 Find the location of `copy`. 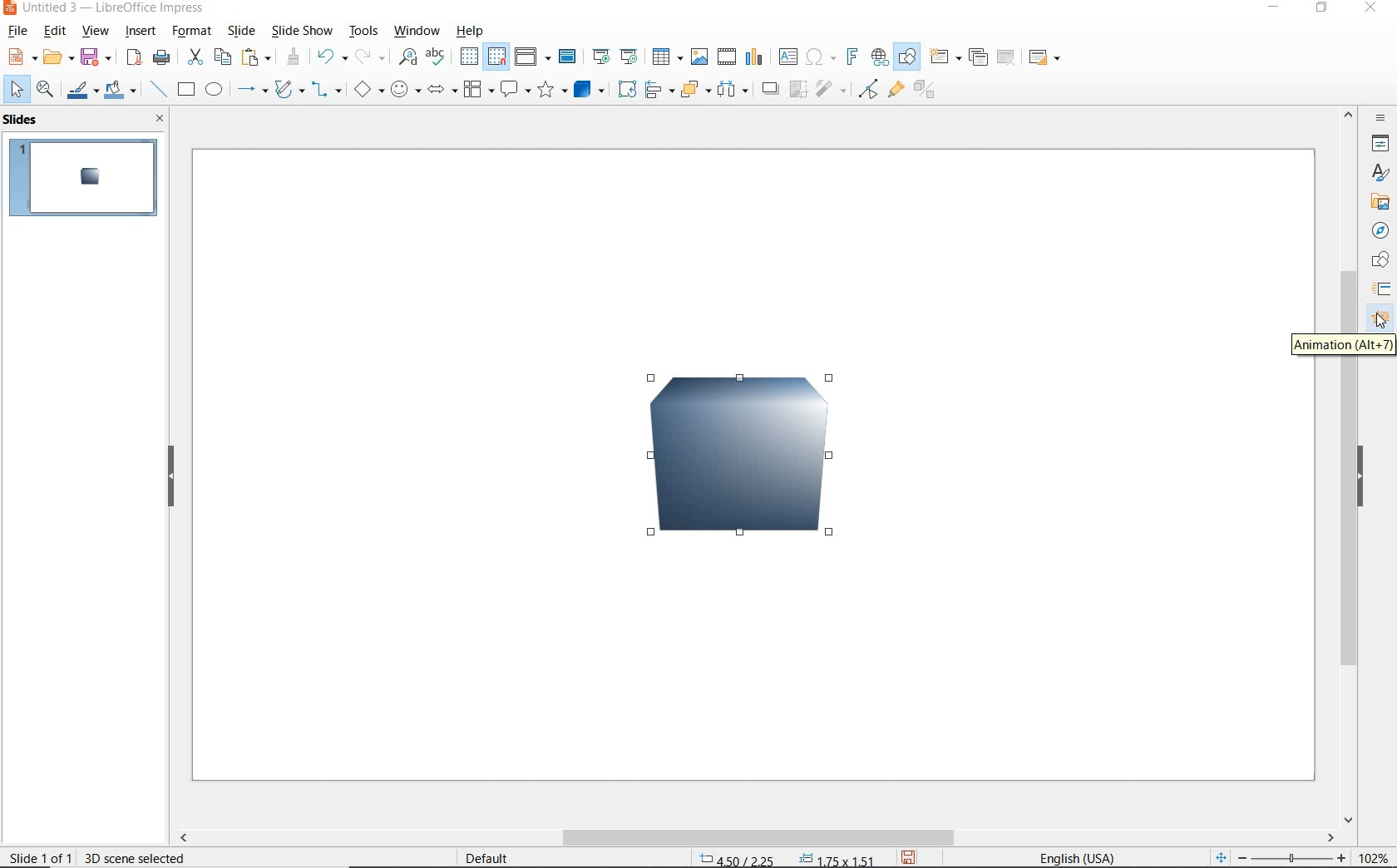

copy is located at coordinates (225, 56).